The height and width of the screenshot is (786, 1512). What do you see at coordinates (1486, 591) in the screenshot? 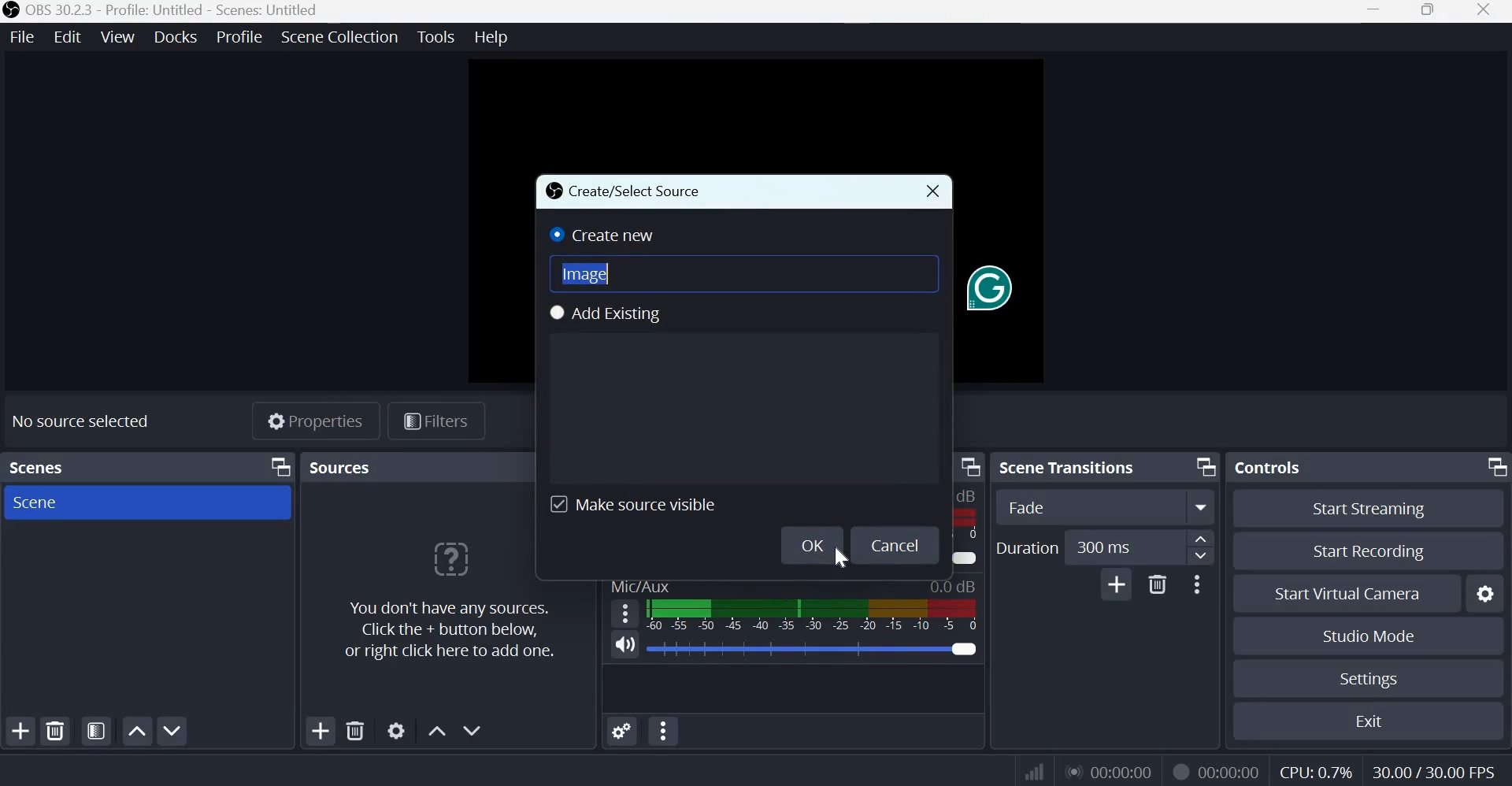
I see `Configure virtual camera` at bounding box center [1486, 591].